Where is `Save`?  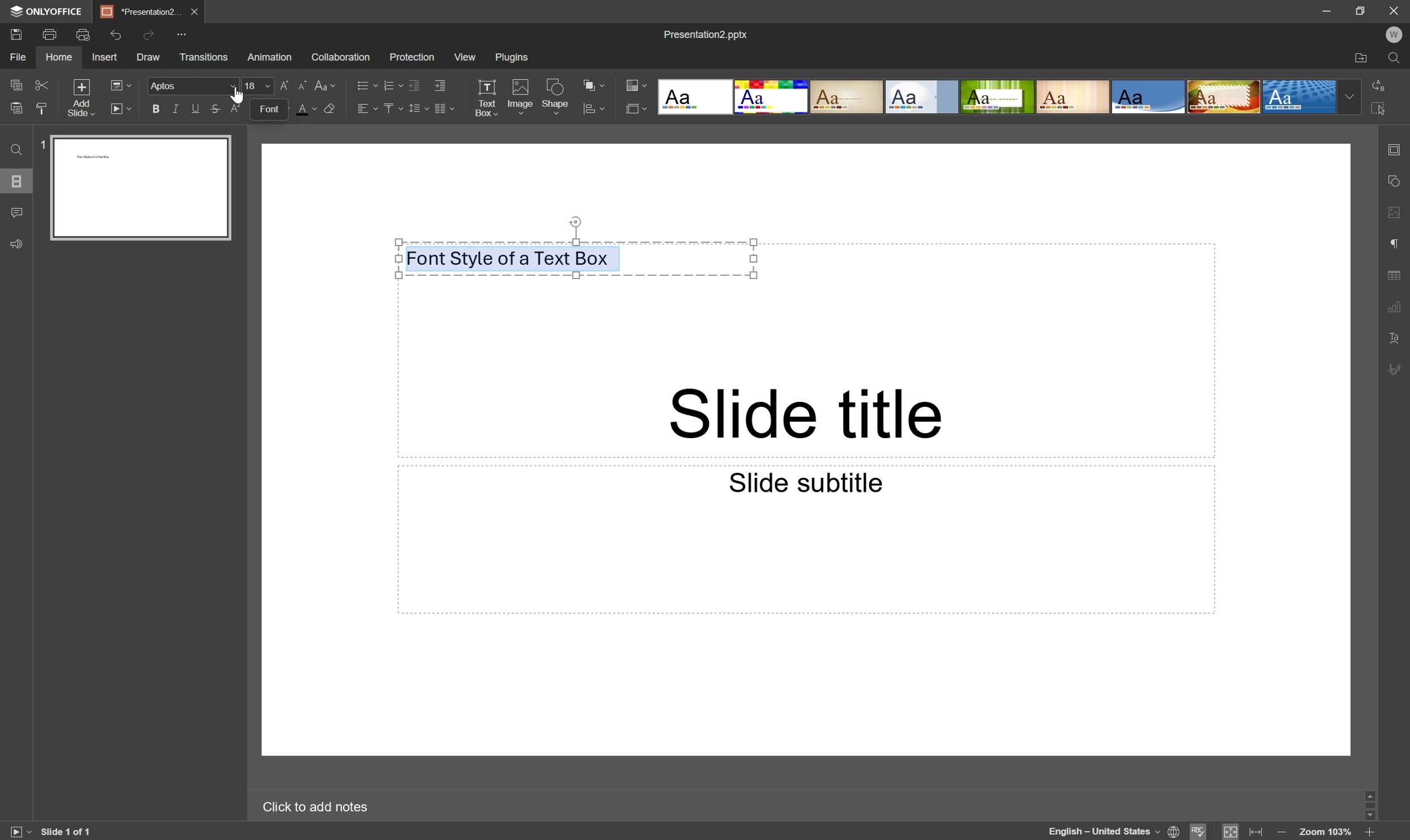 Save is located at coordinates (17, 34).